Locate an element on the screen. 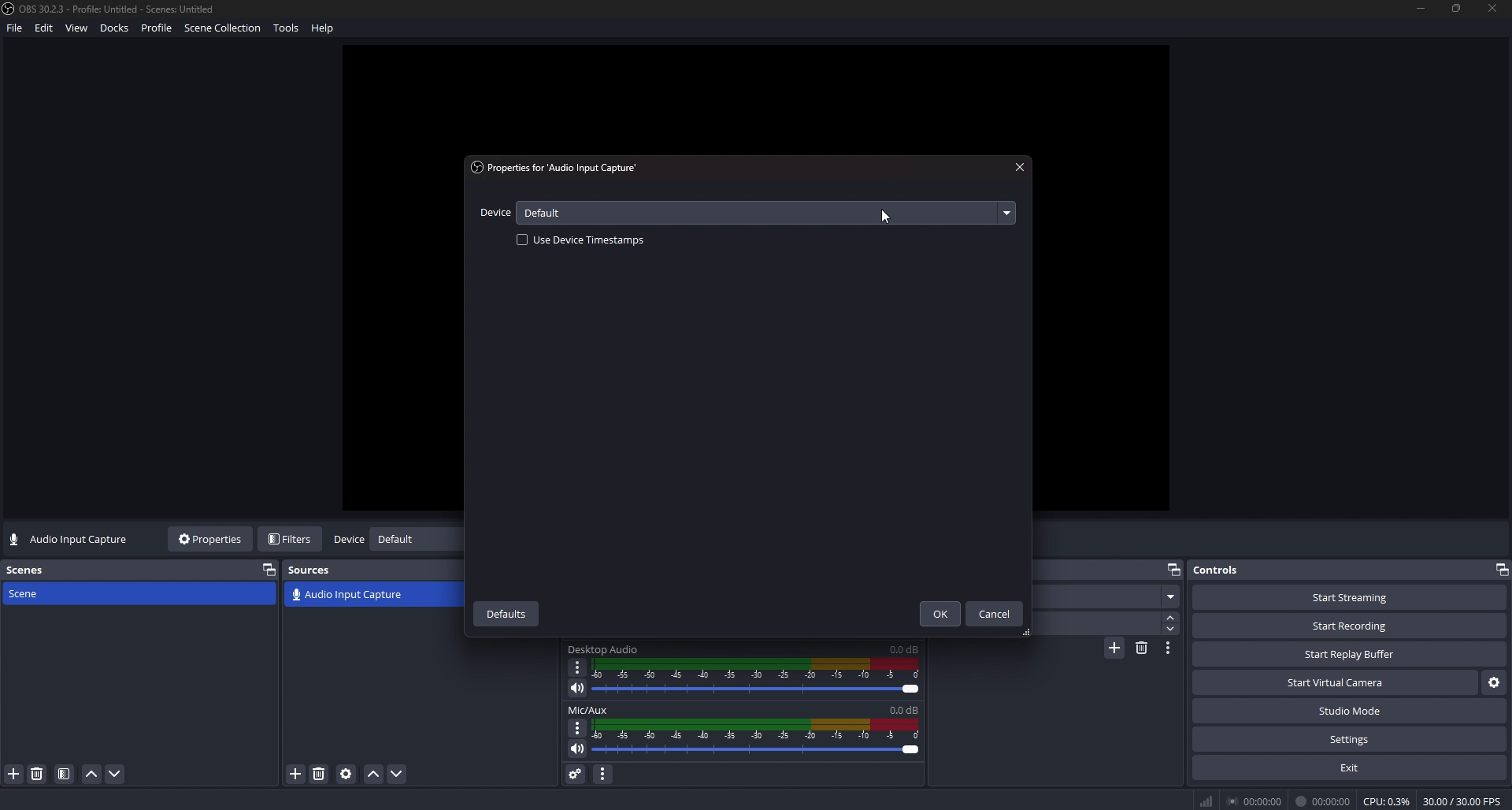  audio mixer menu is located at coordinates (604, 773).